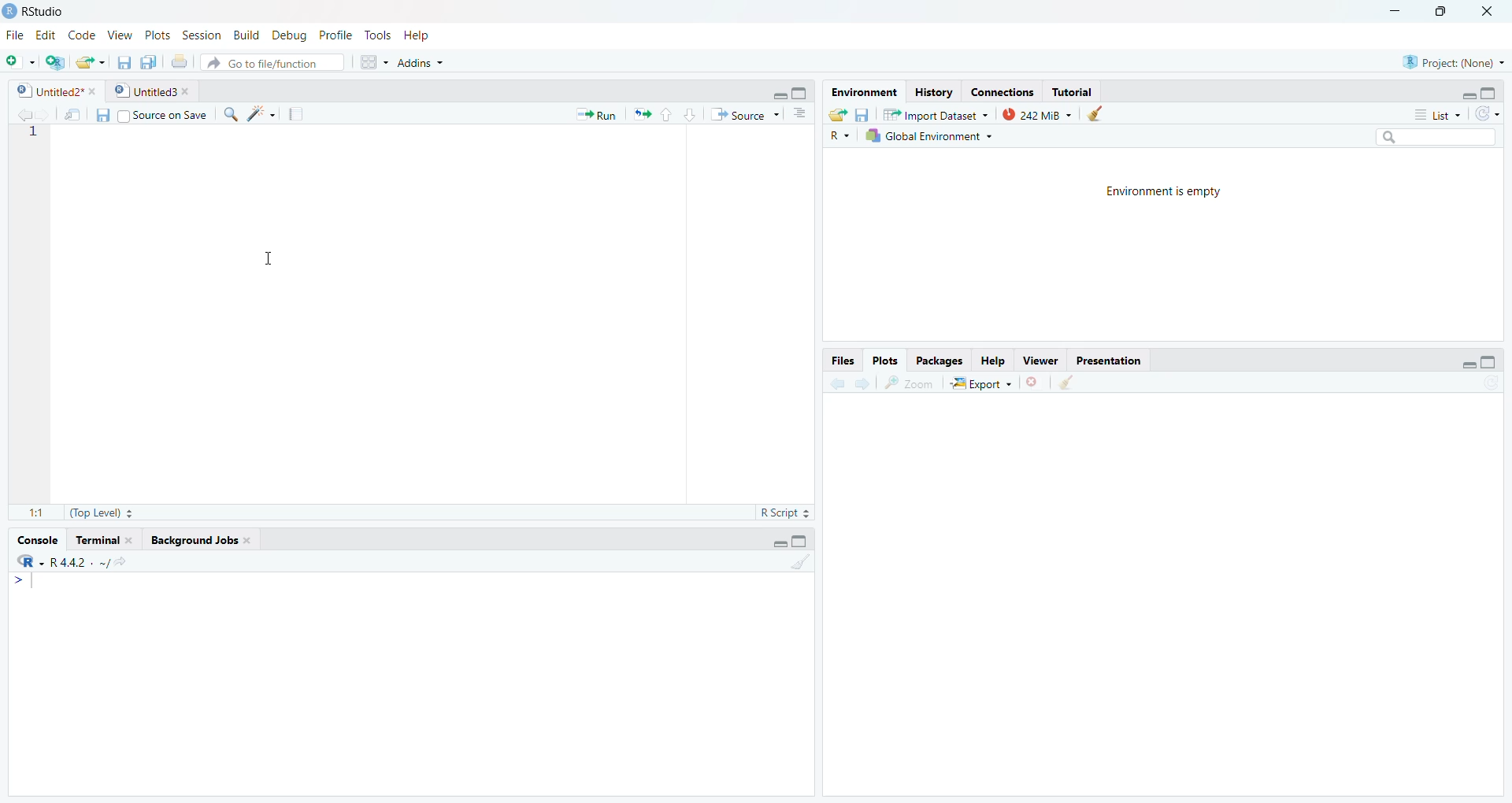 This screenshot has height=803, width=1512. Describe the element at coordinates (1468, 364) in the screenshot. I see `minimize` at that location.